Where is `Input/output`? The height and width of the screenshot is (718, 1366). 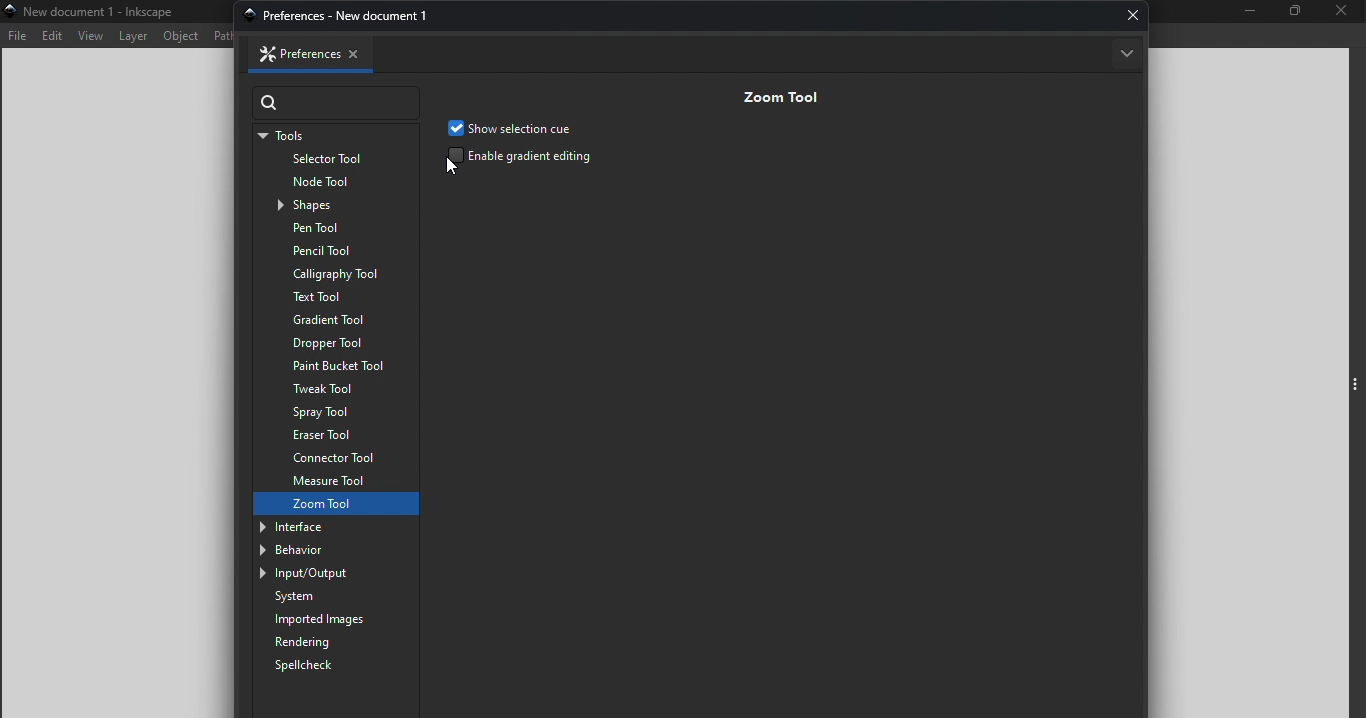 Input/output is located at coordinates (317, 572).